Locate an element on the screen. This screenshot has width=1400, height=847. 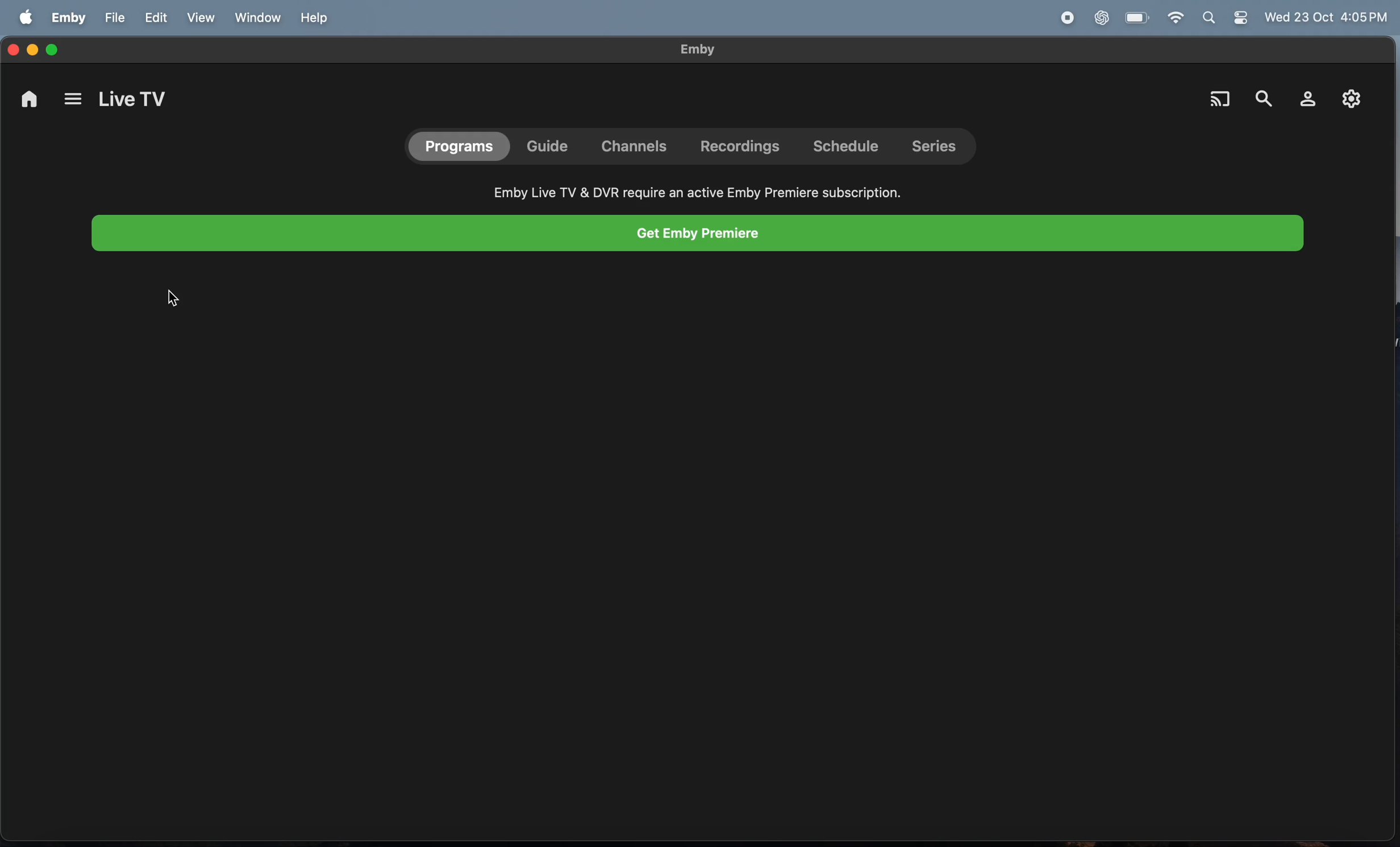
file is located at coordinates (113, 18).